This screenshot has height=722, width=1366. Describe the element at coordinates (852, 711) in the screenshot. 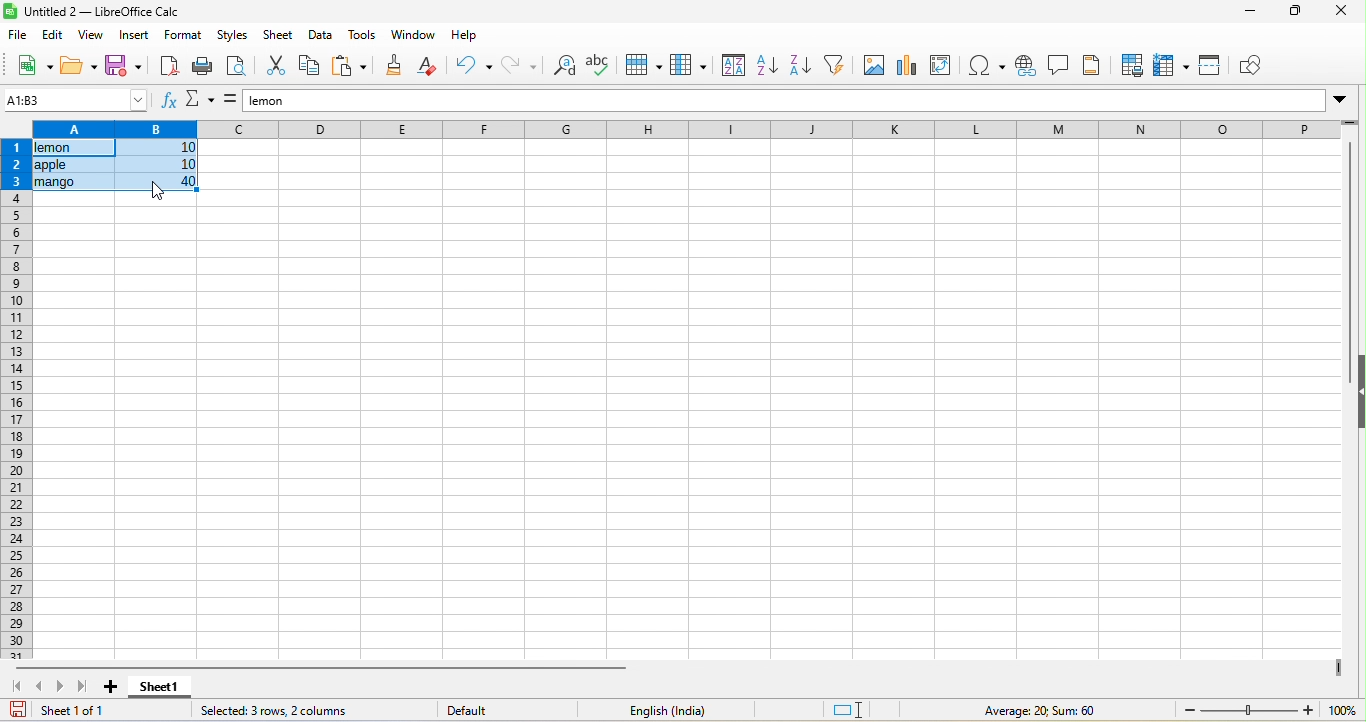

I see `standard selection` at that location.